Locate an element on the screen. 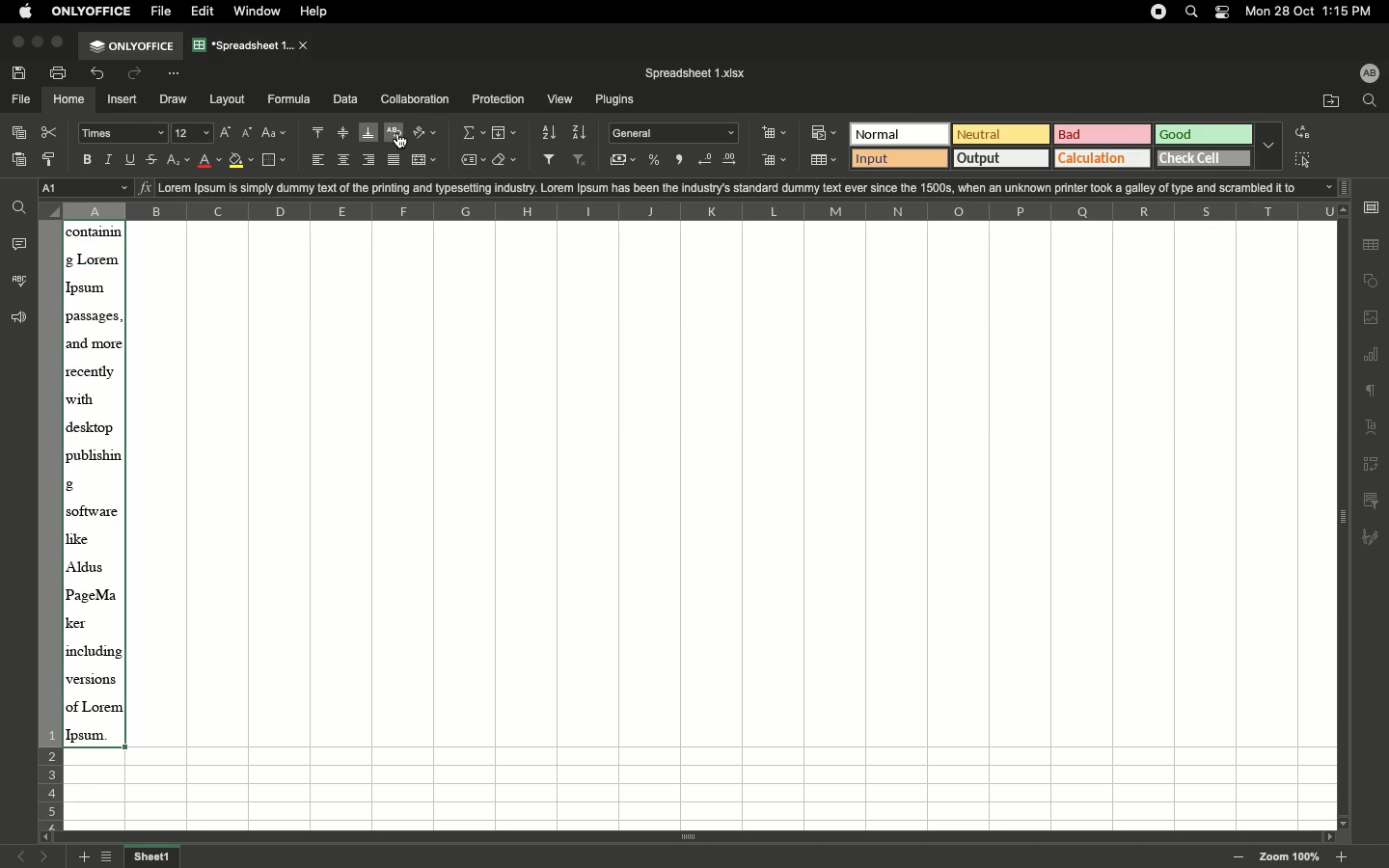 The height and width of the screenshot is (868, 1389). List of sheets is located at coordinates (110, 856).